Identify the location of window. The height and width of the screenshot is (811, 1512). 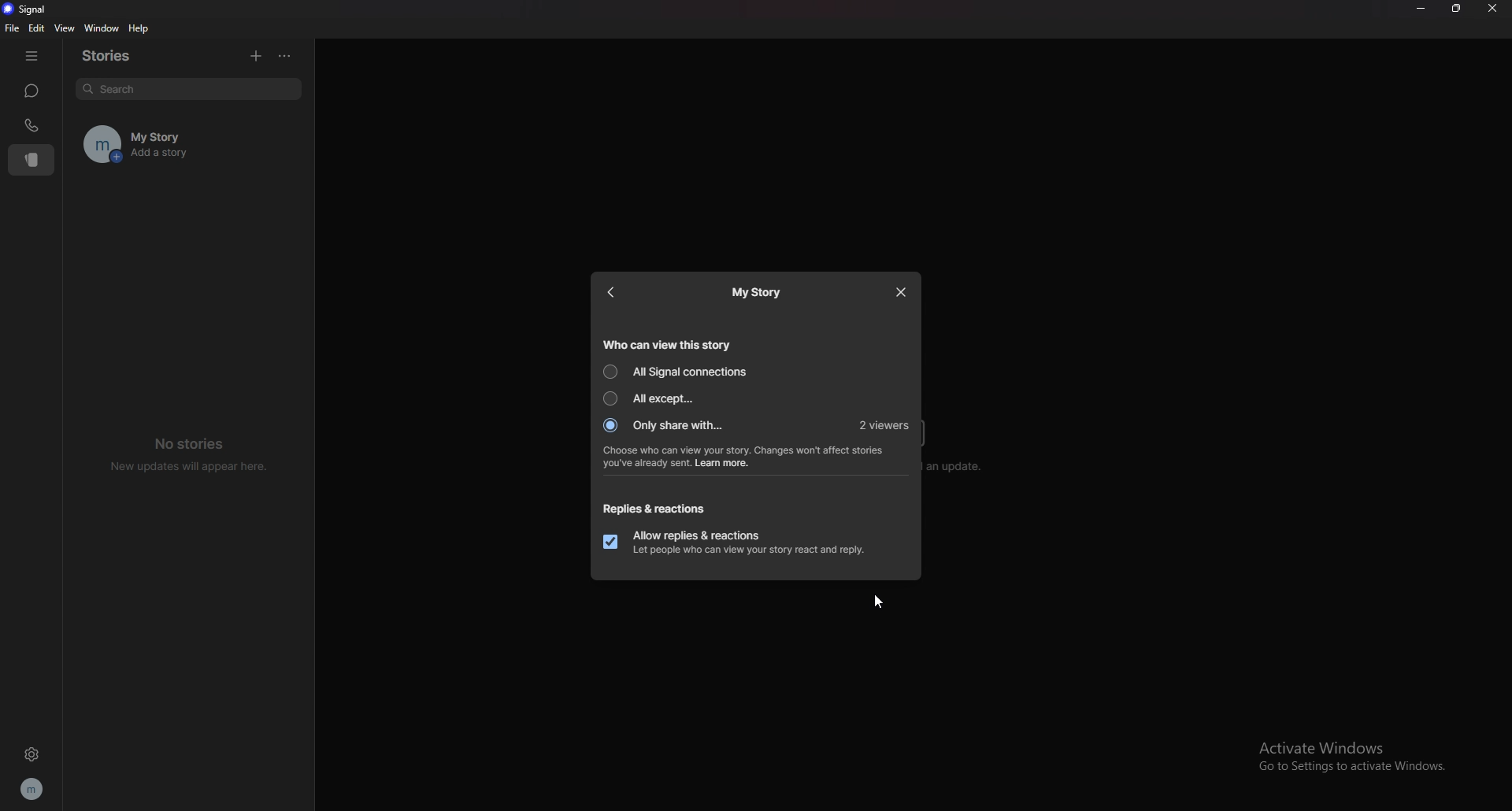
(102, 28).